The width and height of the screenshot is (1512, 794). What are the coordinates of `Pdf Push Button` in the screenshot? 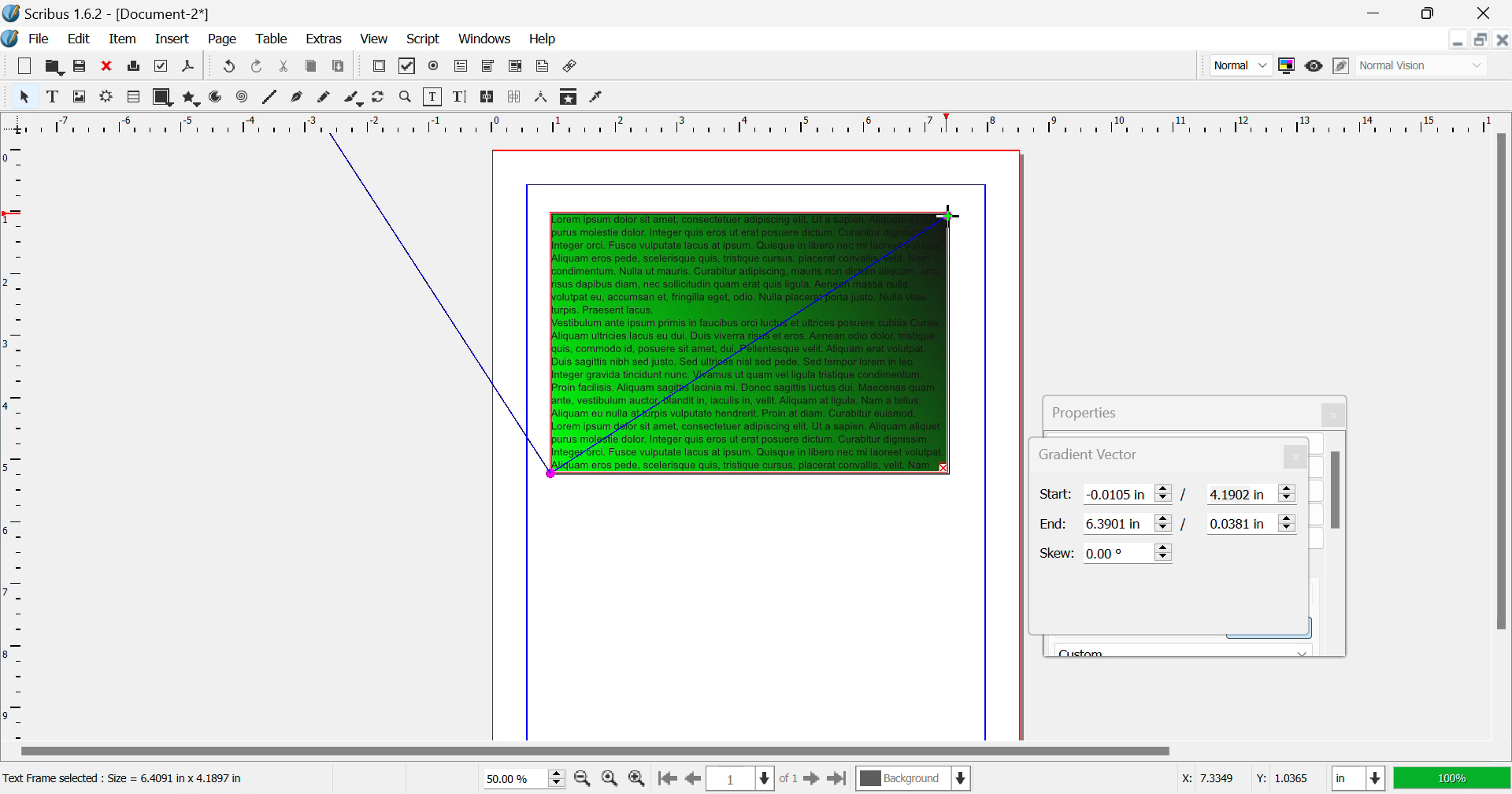 It's located at (379, 68).